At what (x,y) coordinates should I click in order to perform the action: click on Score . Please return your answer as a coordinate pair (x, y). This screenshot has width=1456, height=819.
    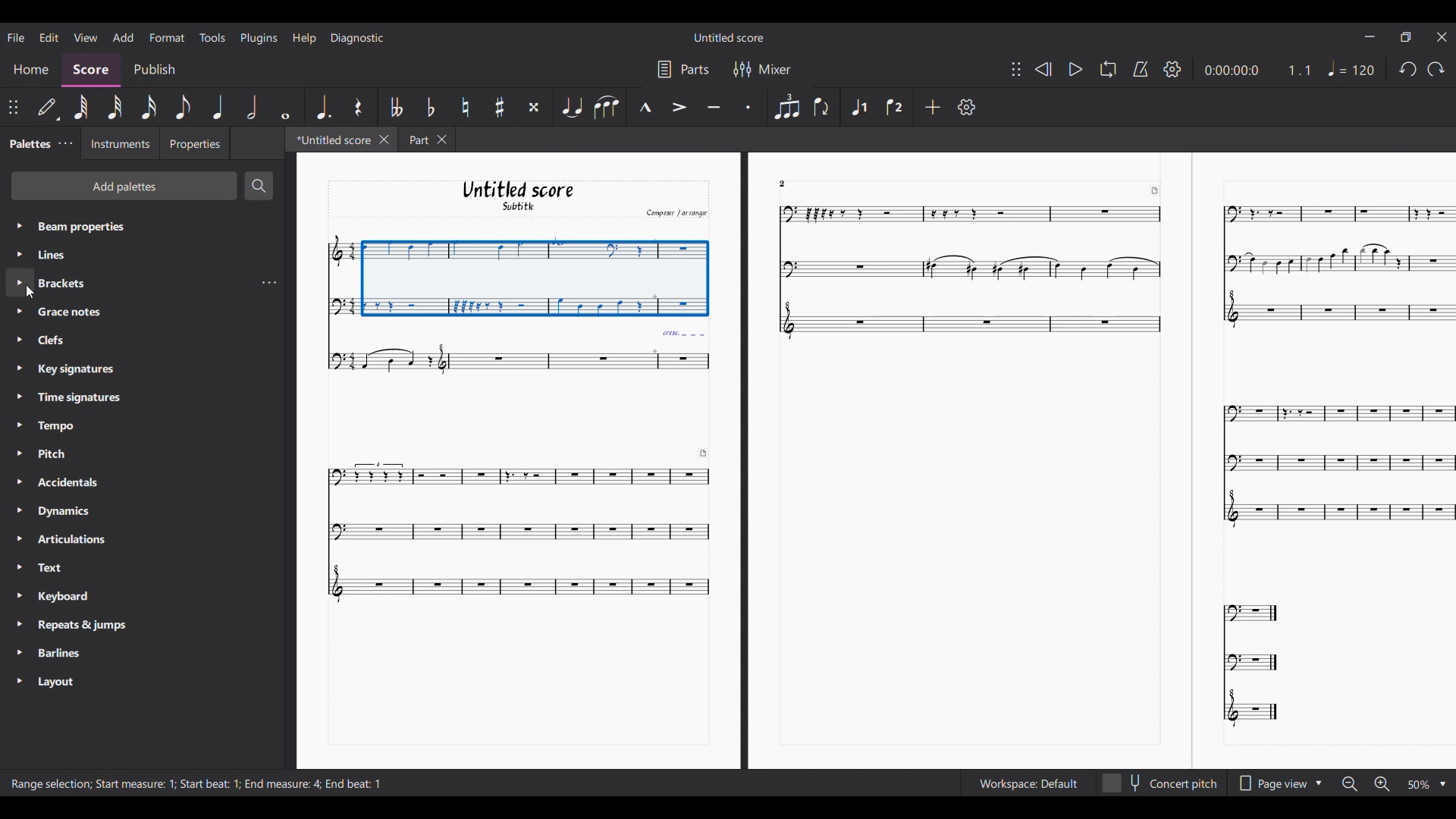
    Looking at the image, I should click on (92, 71).